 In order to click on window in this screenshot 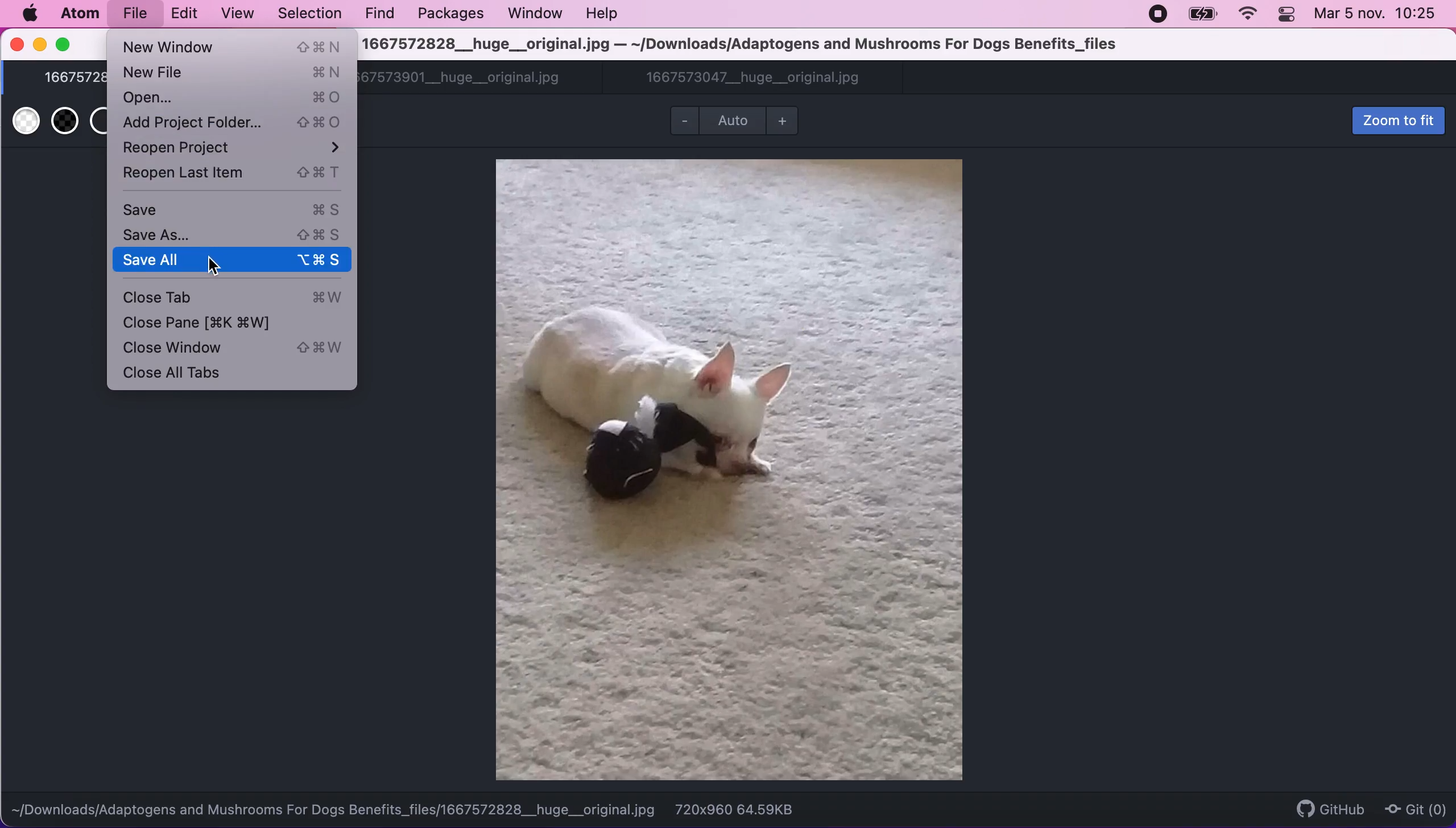, I will do `click(534, 14)`.